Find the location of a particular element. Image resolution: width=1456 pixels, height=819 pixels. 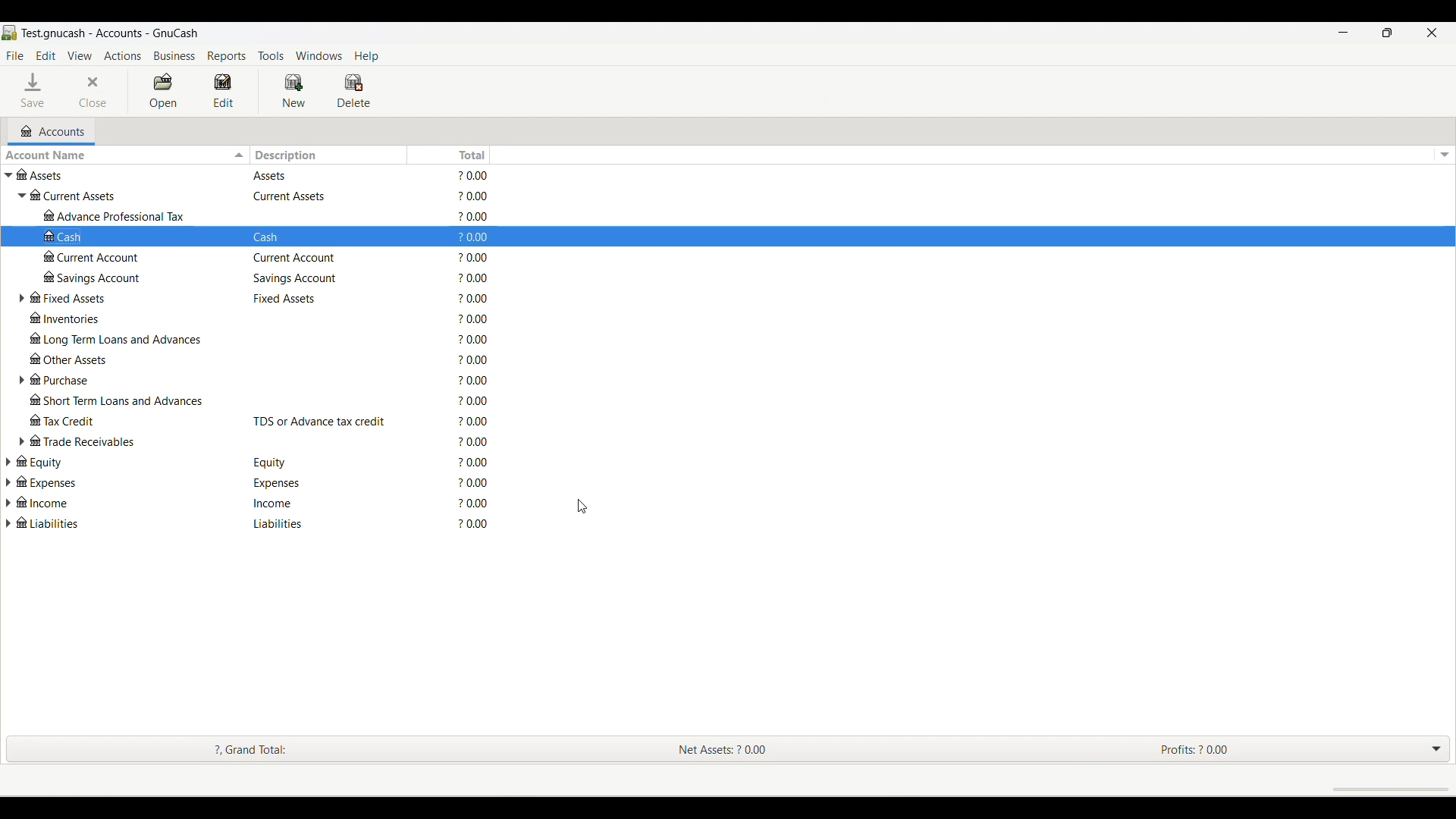

Close interface is located at coordinates (1431, 33).